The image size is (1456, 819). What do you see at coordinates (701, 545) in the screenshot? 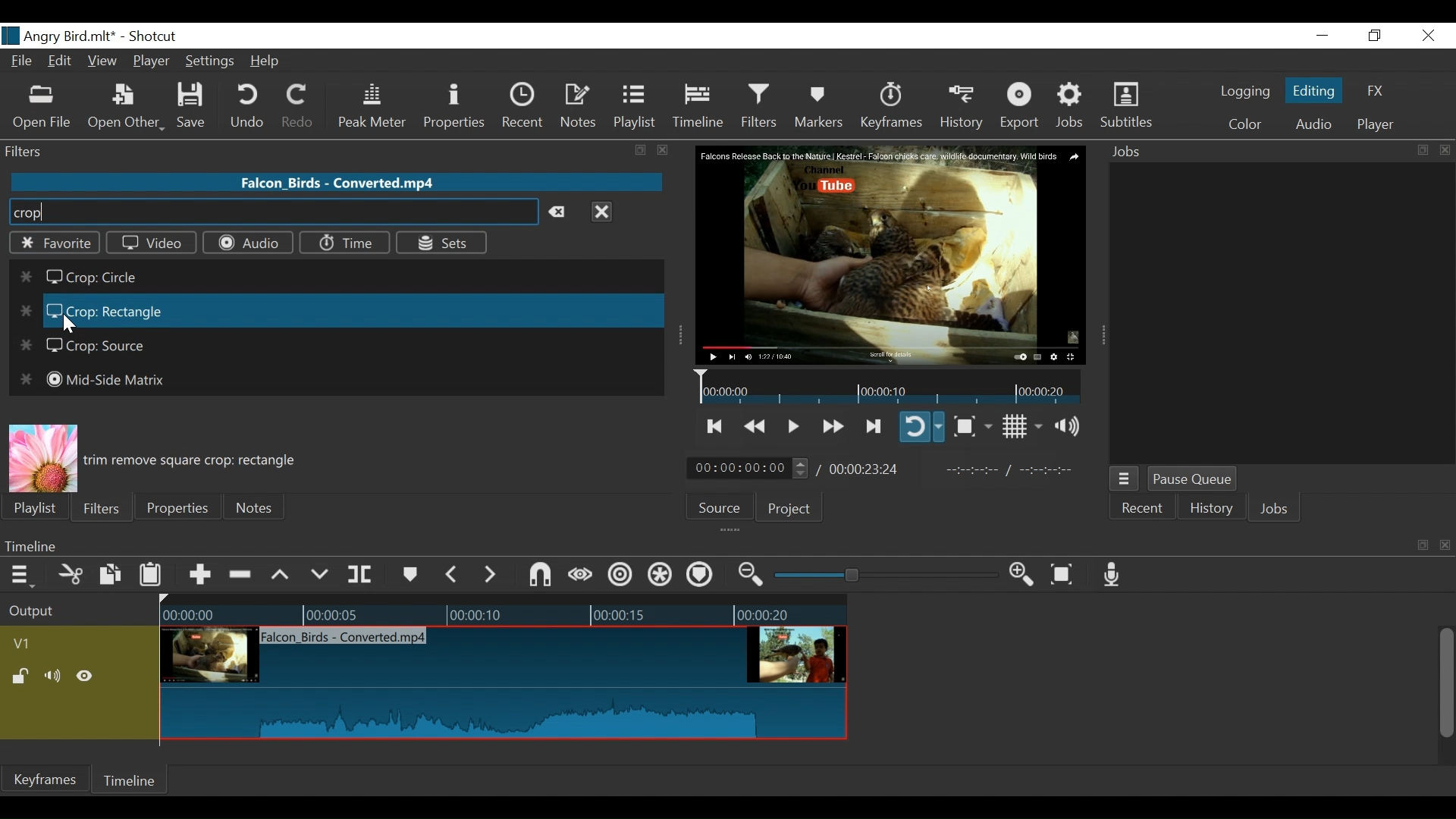
I see `Timeline` at bounding box center [701, 545].